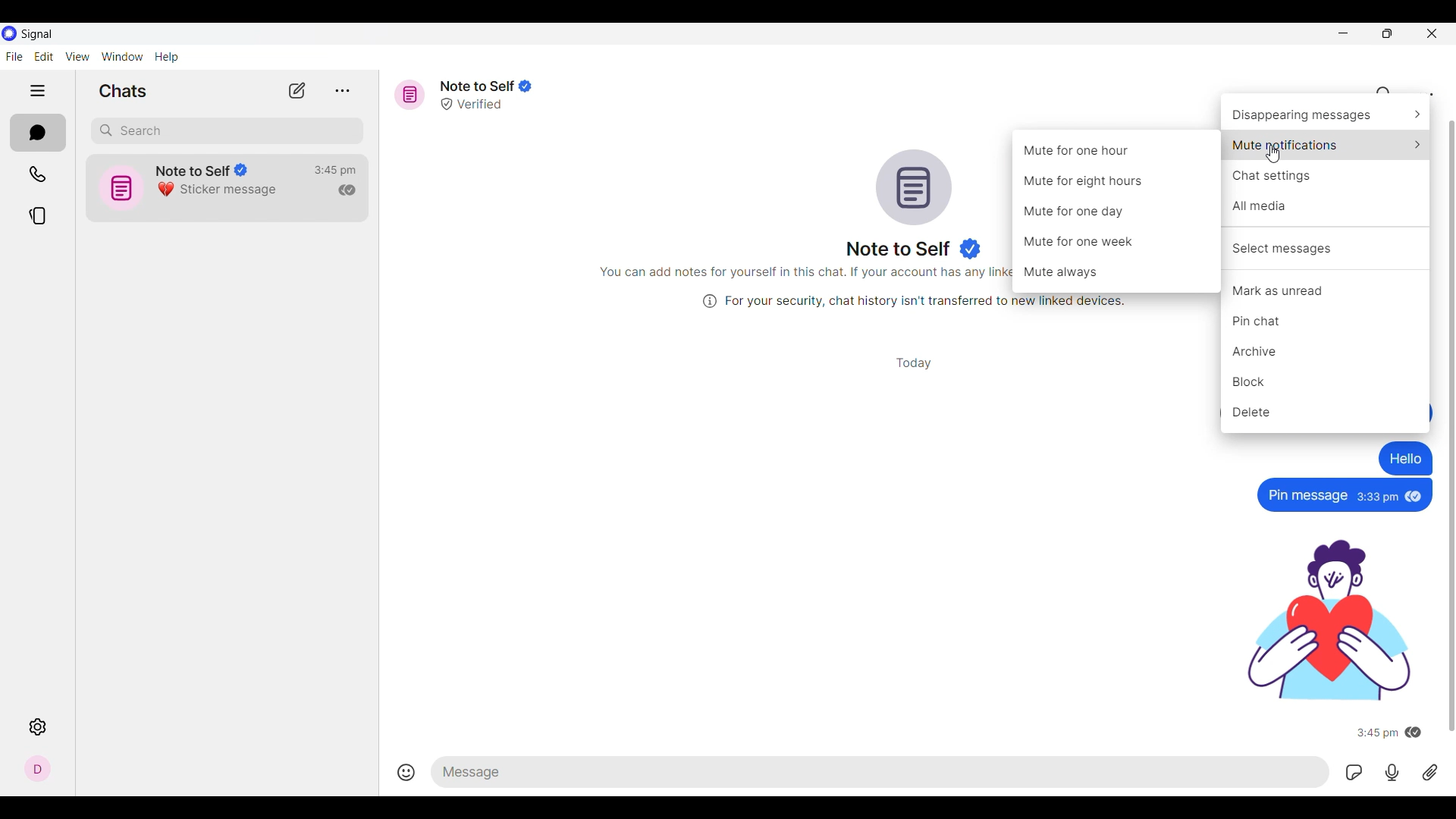 This screenshot has height=819, width=1456. Describe the element at coordinates (37, 90) in the screenshot. I see `Show/Hide left side pane` at that location.